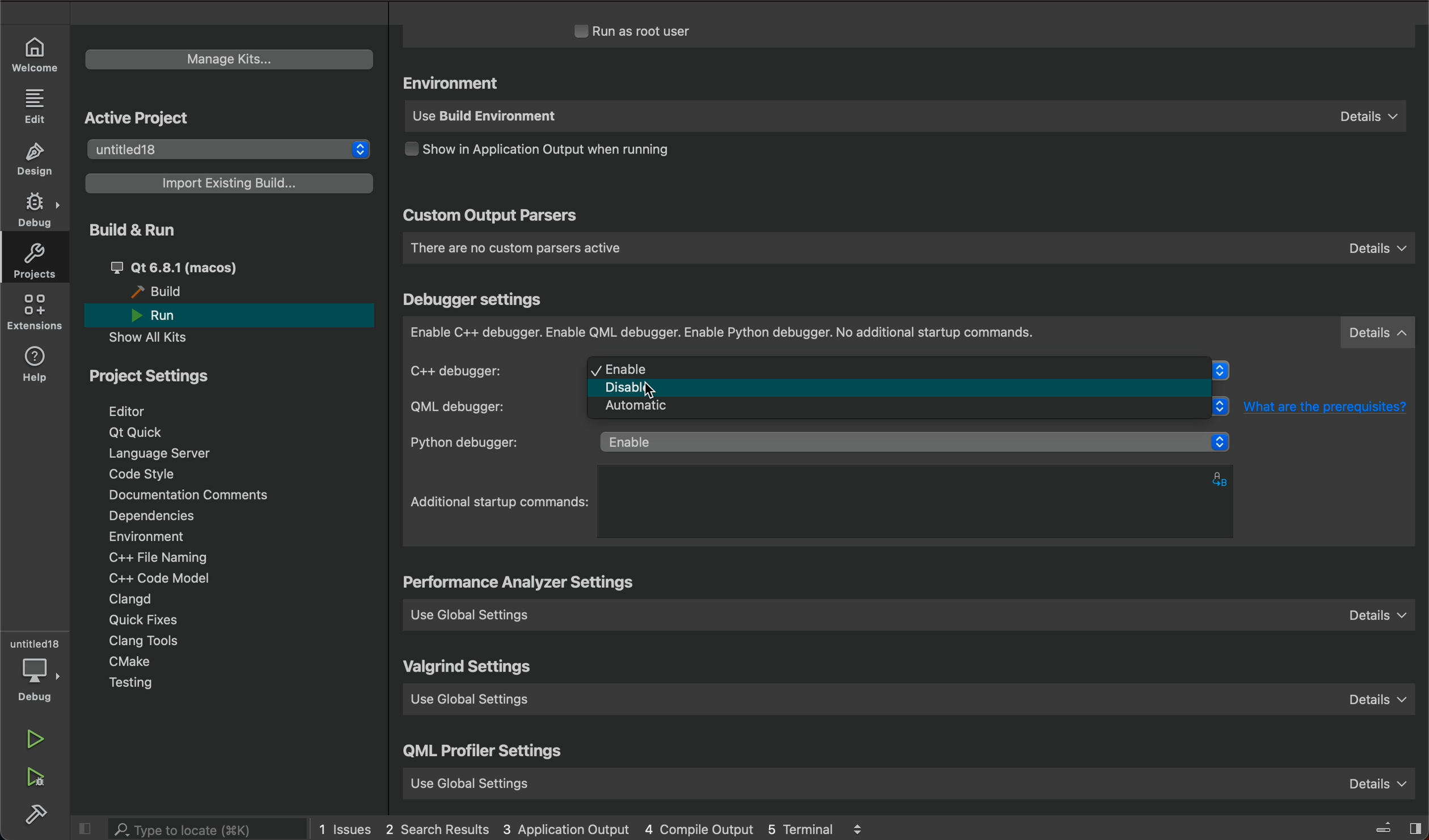 This screenshot has width=1429, height=840. I want to click on import , so click(231, 183).